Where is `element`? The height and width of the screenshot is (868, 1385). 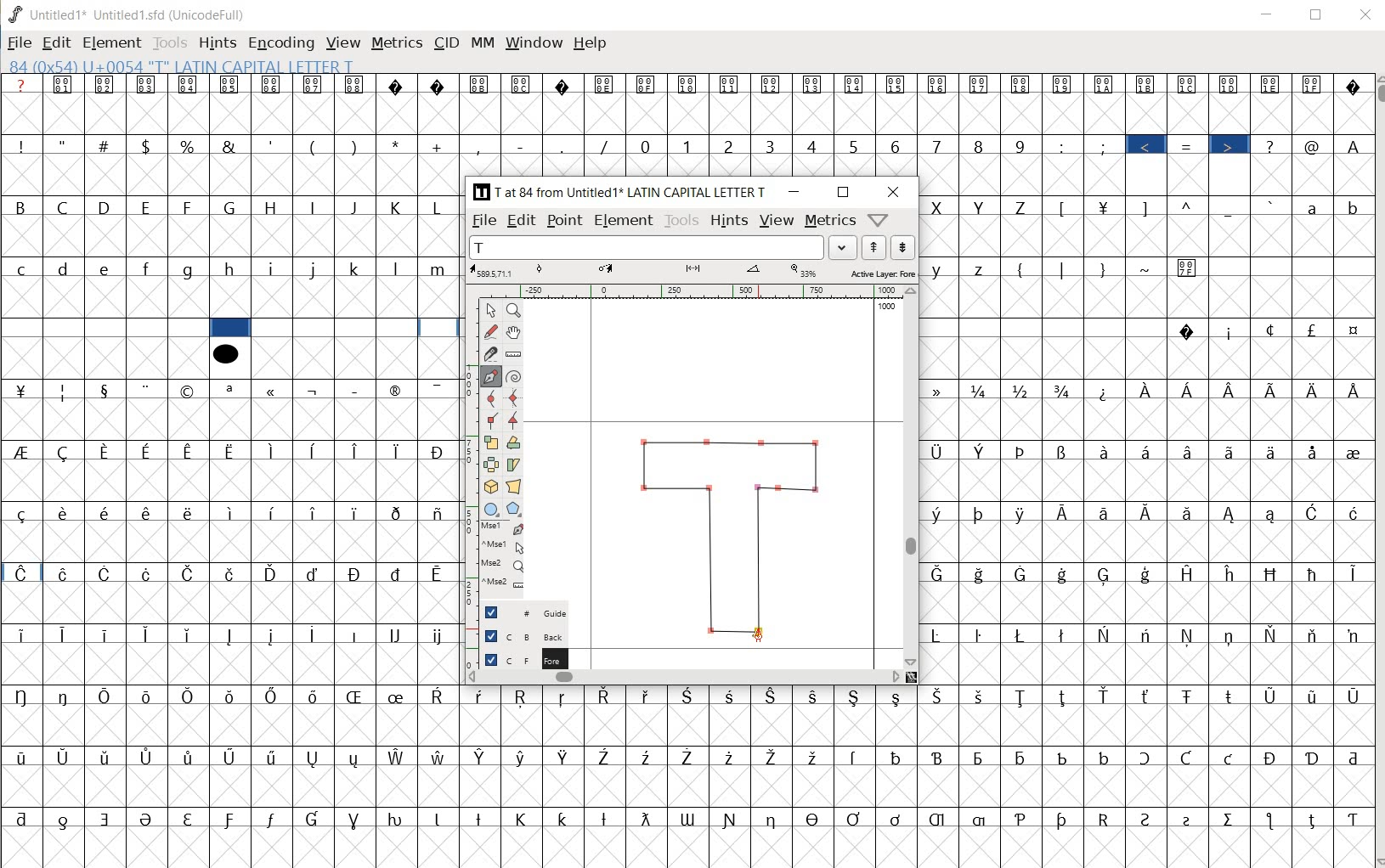
element is located at coordinates (111, 42).